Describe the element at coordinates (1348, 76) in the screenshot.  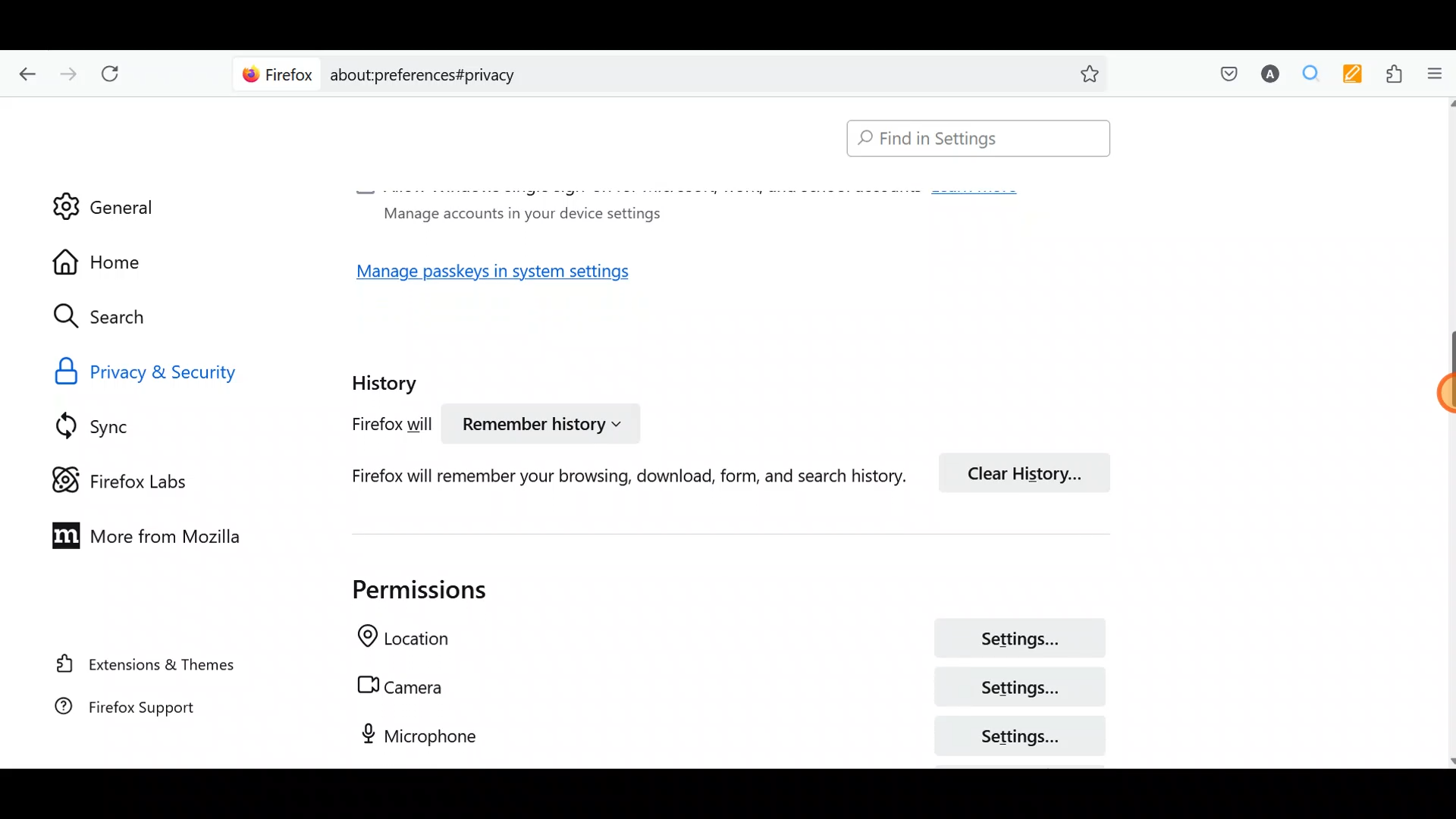
I see `Multi keywords highlighter` at that location.